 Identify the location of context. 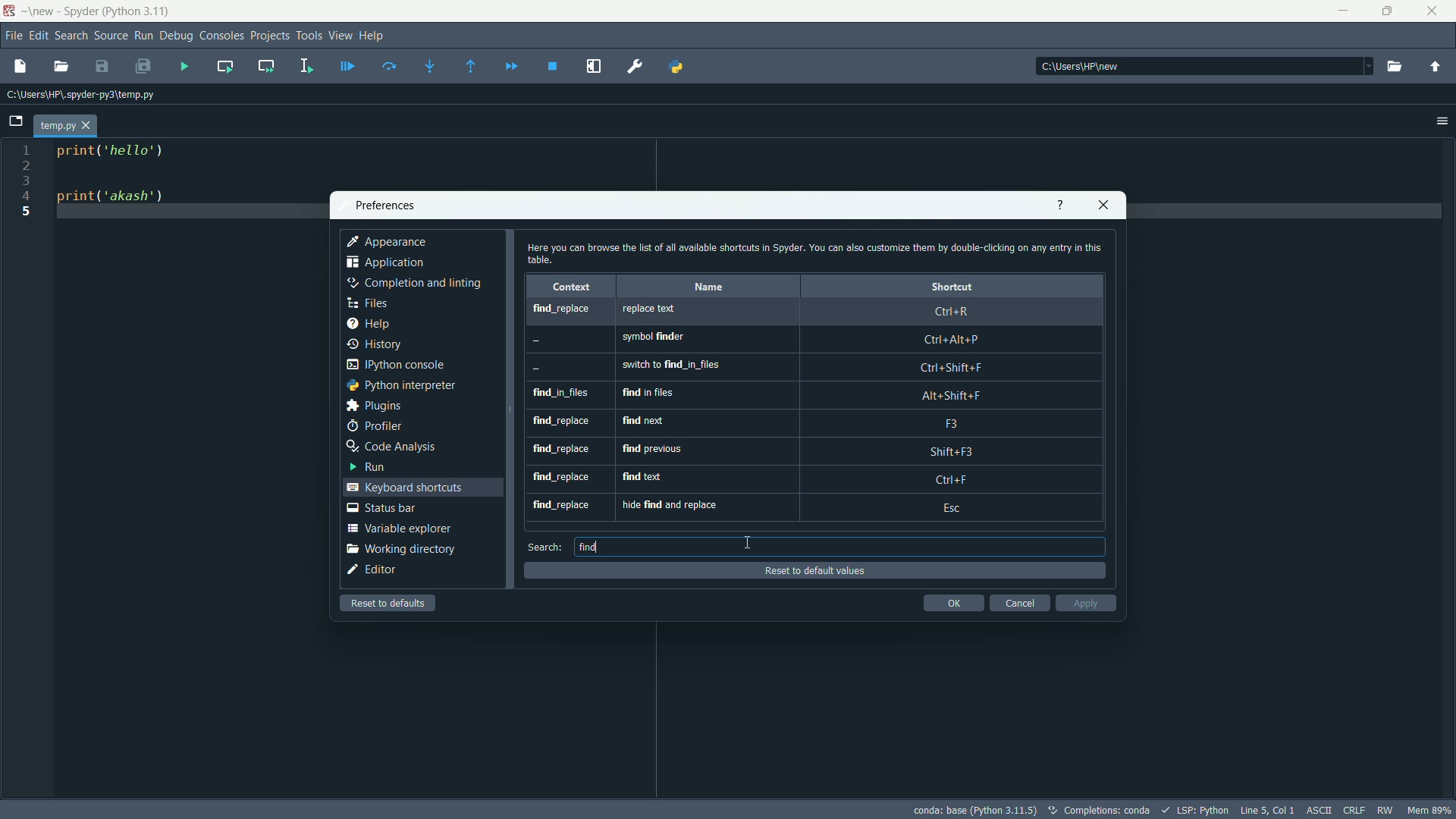
(576, 287).